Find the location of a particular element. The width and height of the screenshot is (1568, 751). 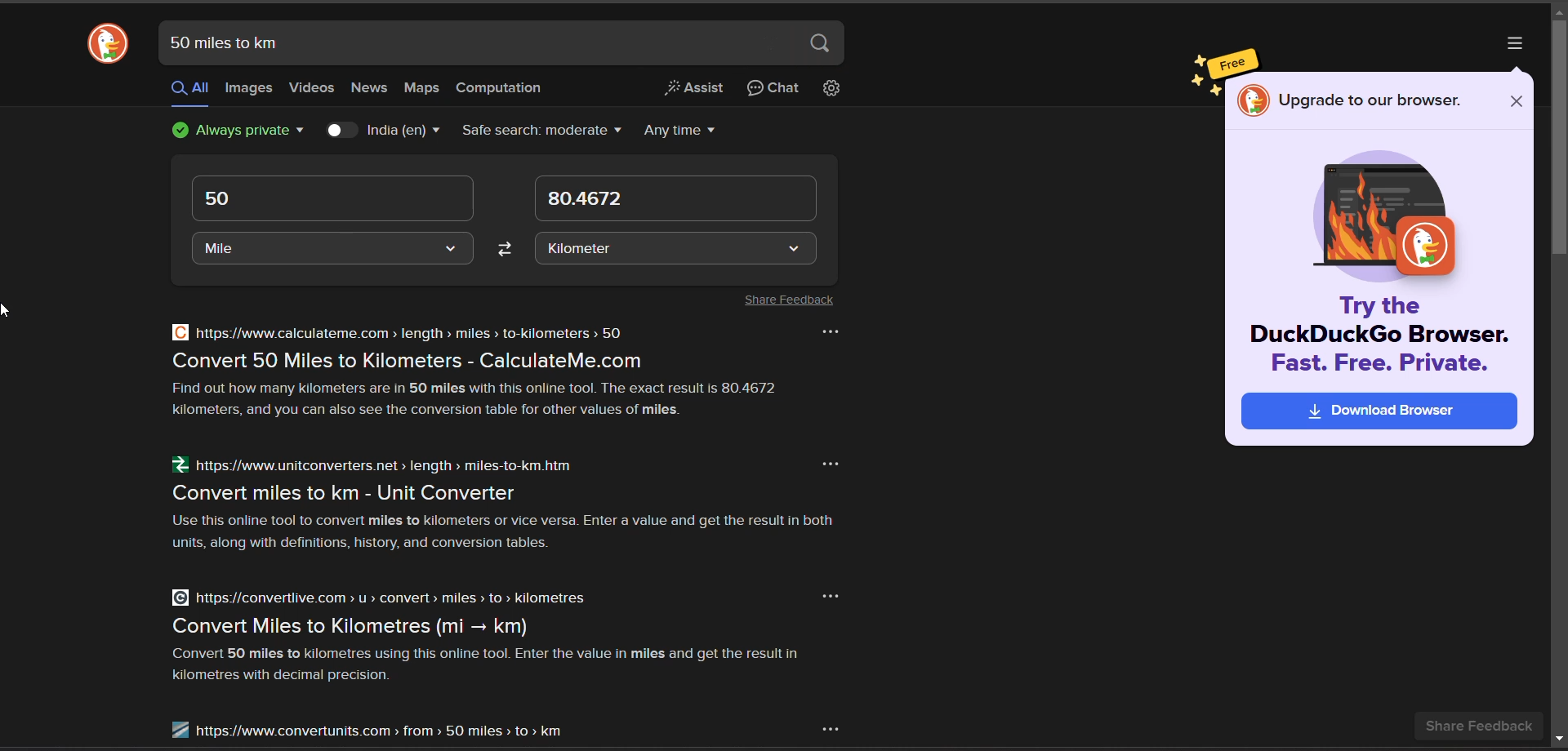

vertical scroll bar is located at coordinates (1558, 140).